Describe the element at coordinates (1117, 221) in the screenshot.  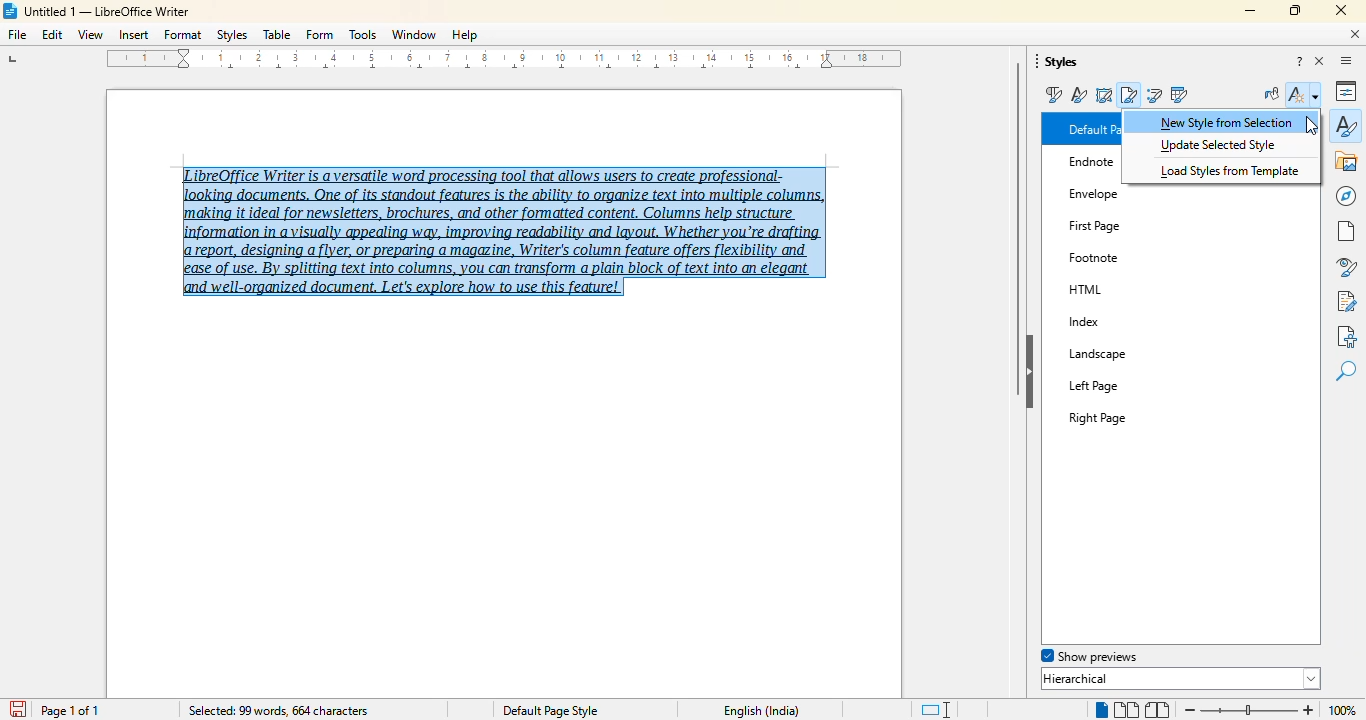
I see ` First Page` at that location.